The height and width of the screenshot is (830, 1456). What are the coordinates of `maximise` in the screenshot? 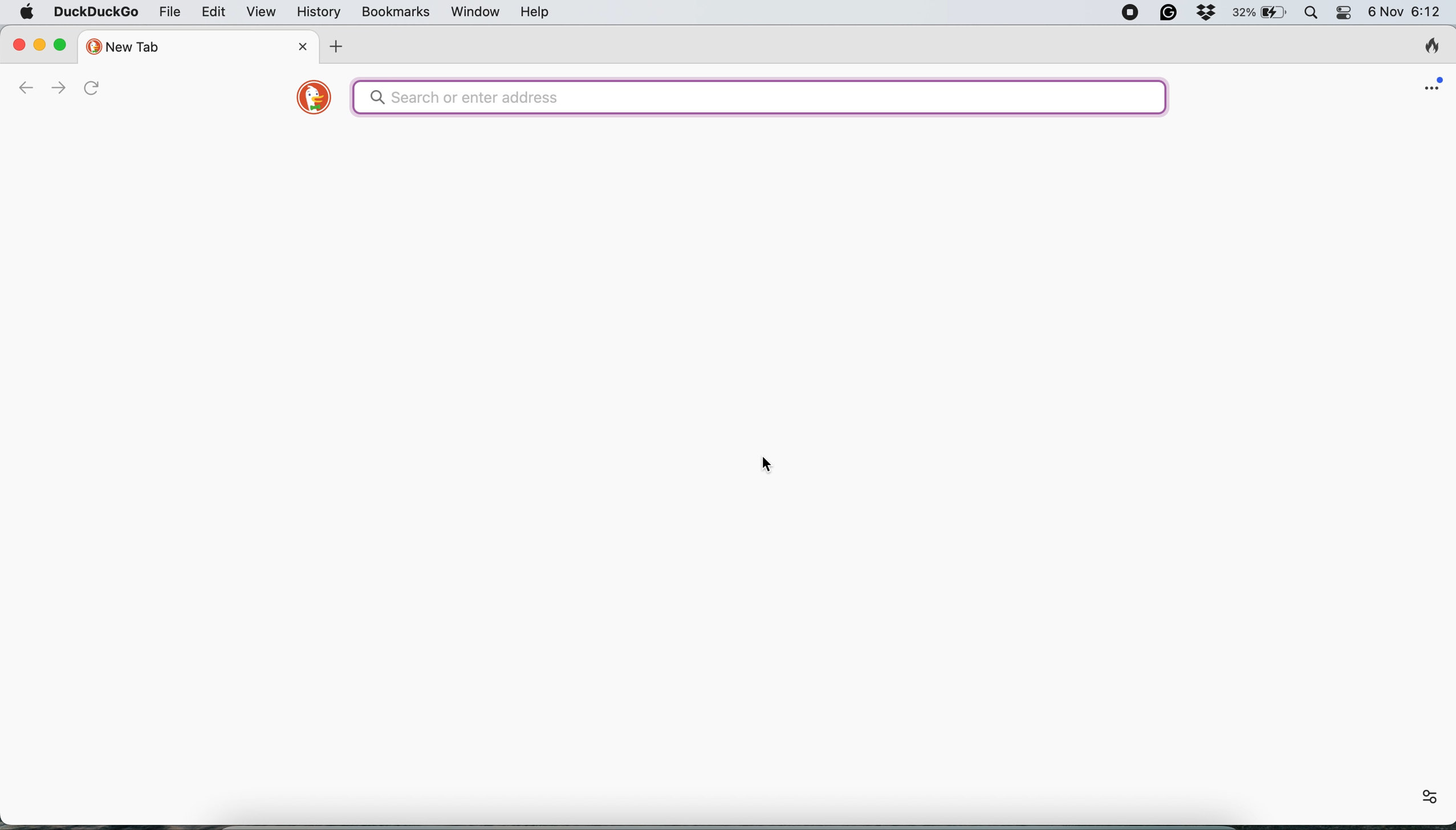 It's located at (66, 44).